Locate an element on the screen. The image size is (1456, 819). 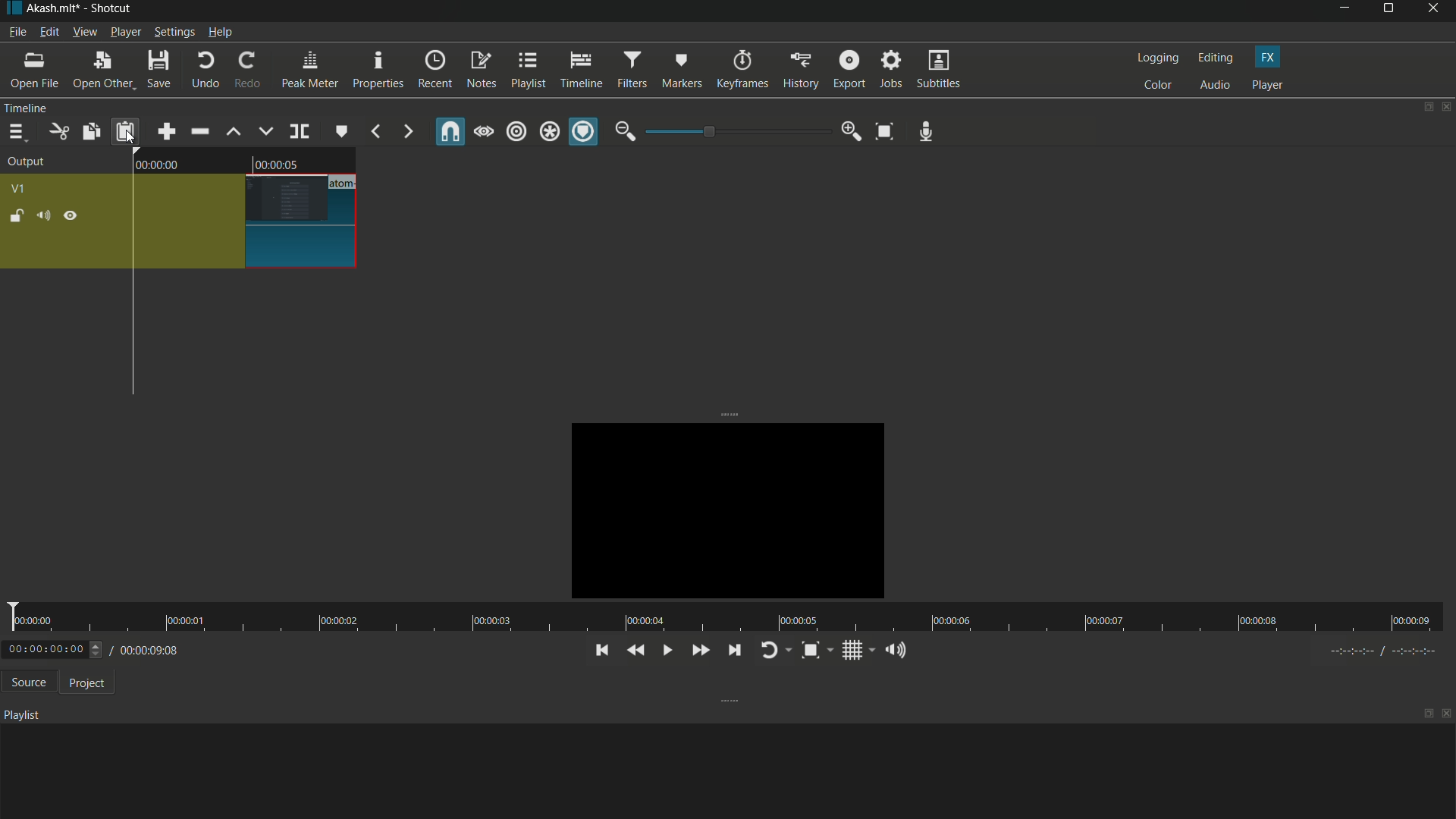
skip to the previous point is located at coordinates (600, 651).